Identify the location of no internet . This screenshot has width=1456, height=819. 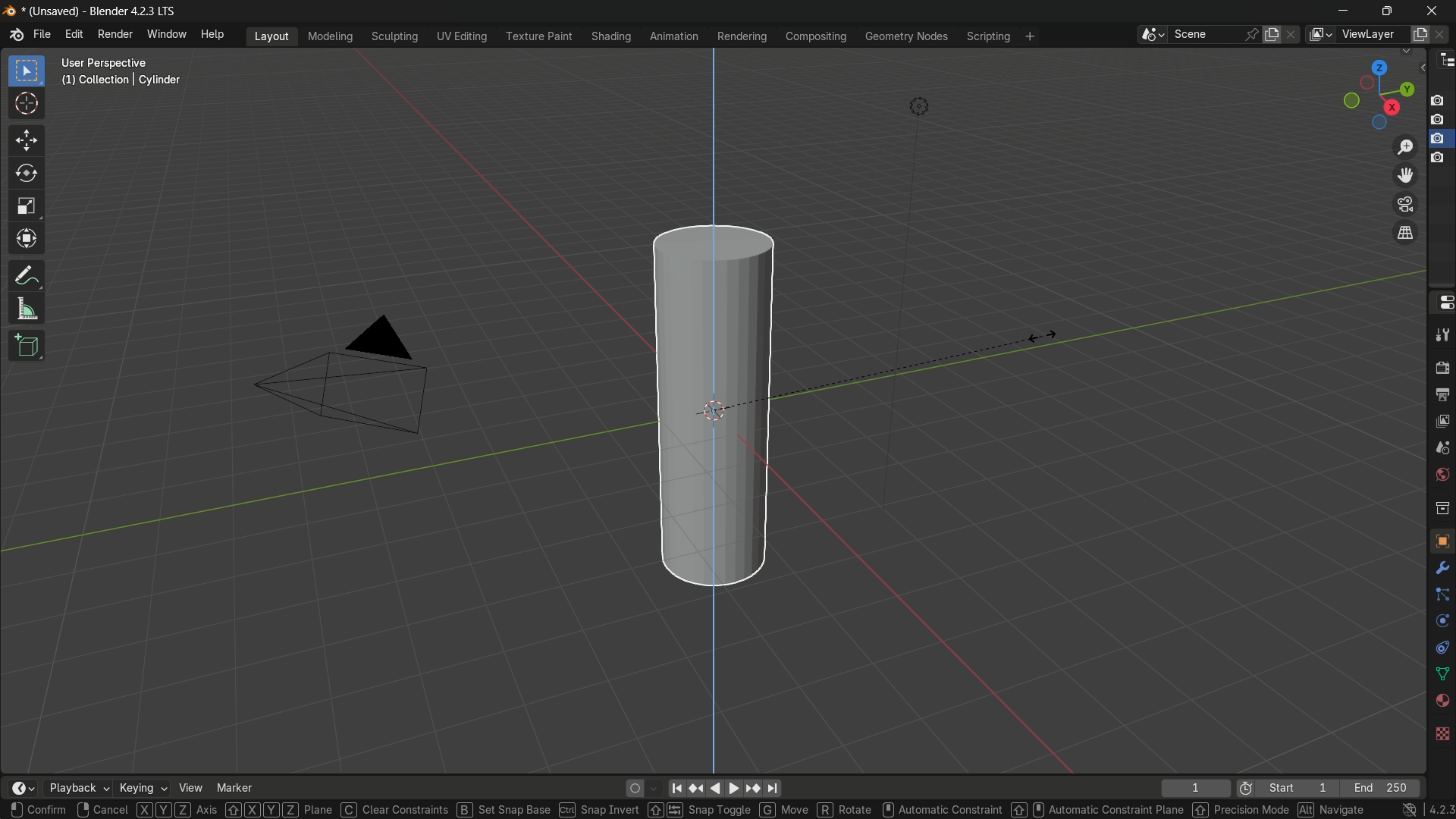
(1409, 811).